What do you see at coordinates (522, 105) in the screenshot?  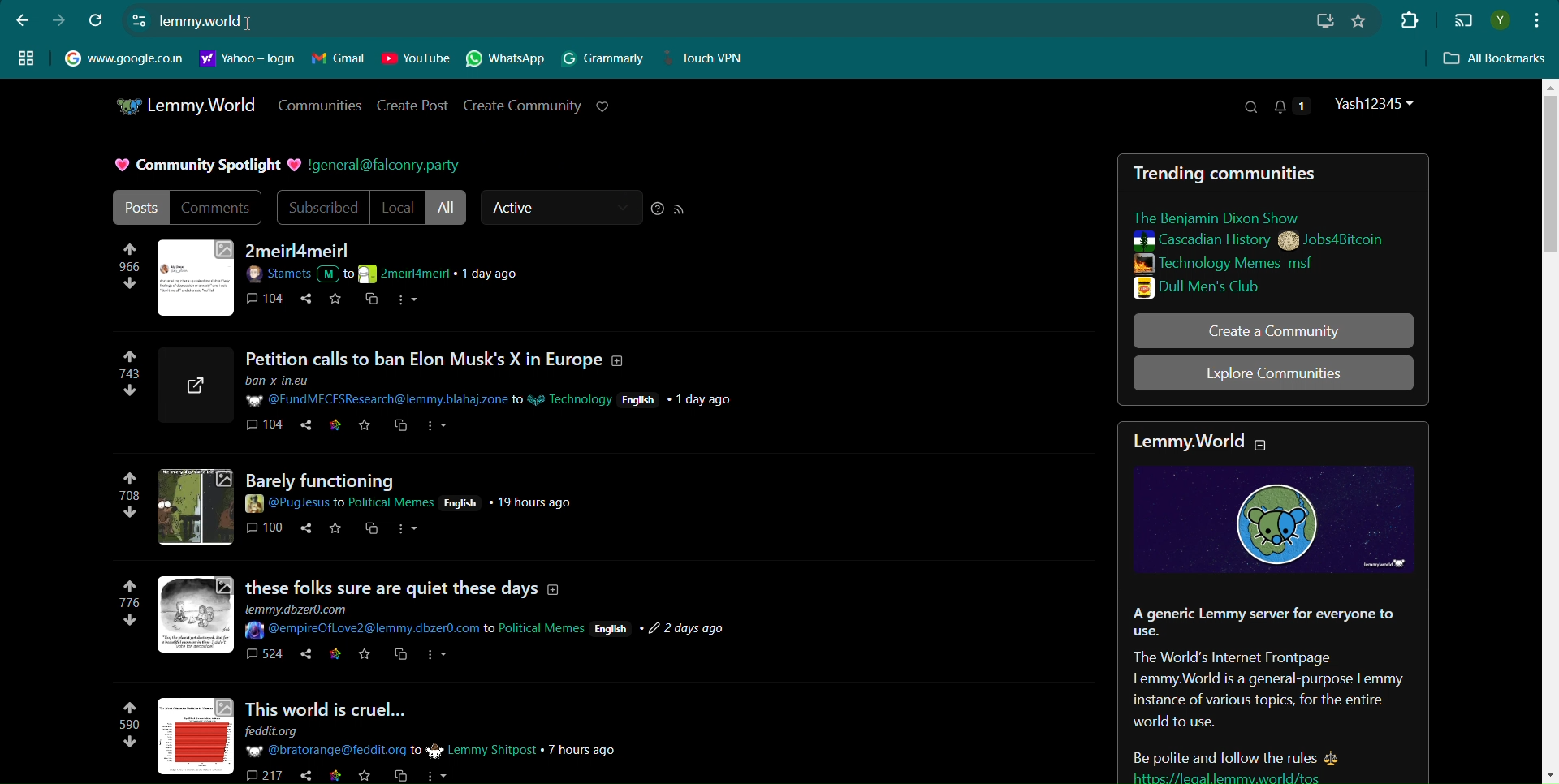 I see `Create Community` at bounding box center [522, 105].